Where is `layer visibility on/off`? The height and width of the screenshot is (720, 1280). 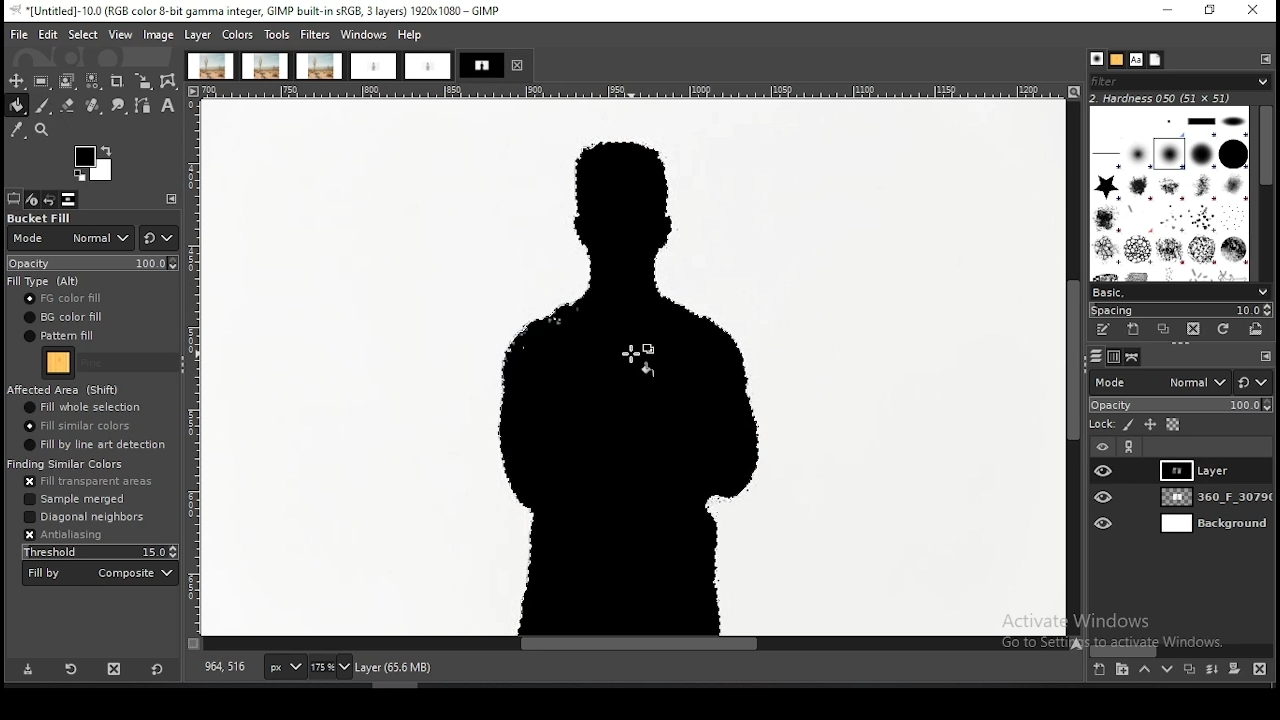 layer visibility on/off is located at coordinates (1105, 471).